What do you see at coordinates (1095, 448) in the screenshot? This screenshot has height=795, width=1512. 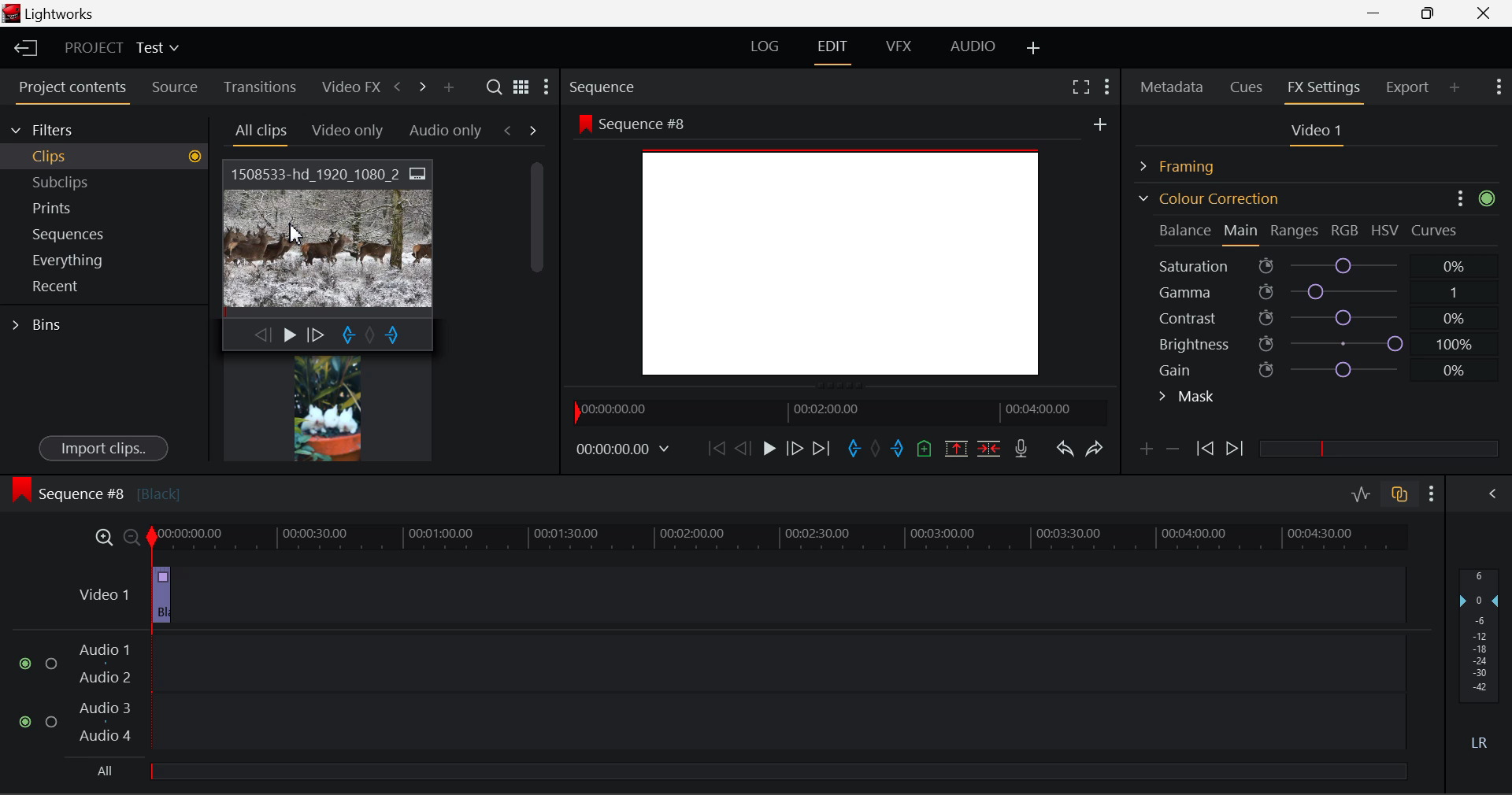 I see `Redo` at bounding box center [1095, 448].